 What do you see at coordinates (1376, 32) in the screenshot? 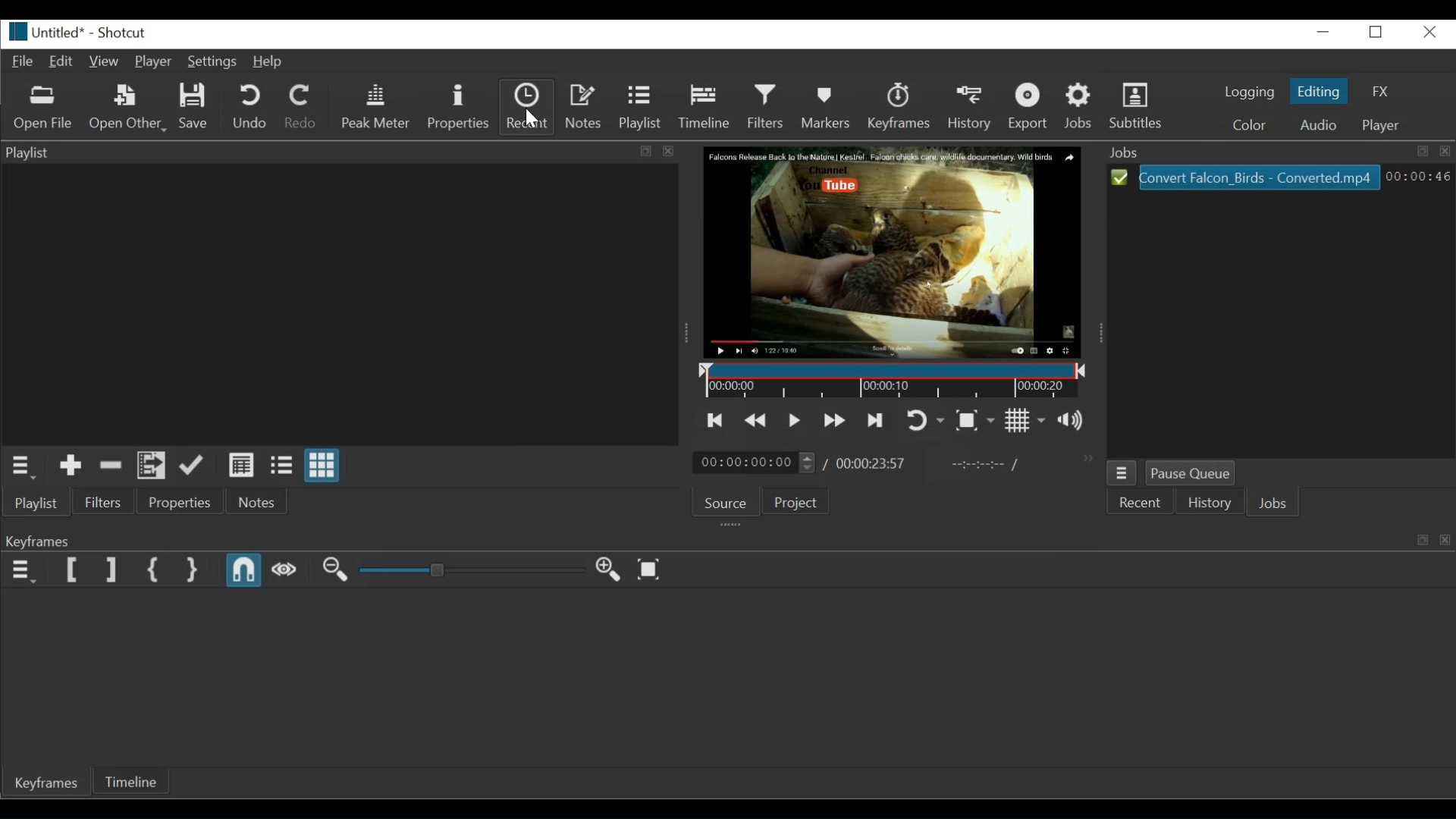
I see `Restore` at bounding box center [1376, 32].